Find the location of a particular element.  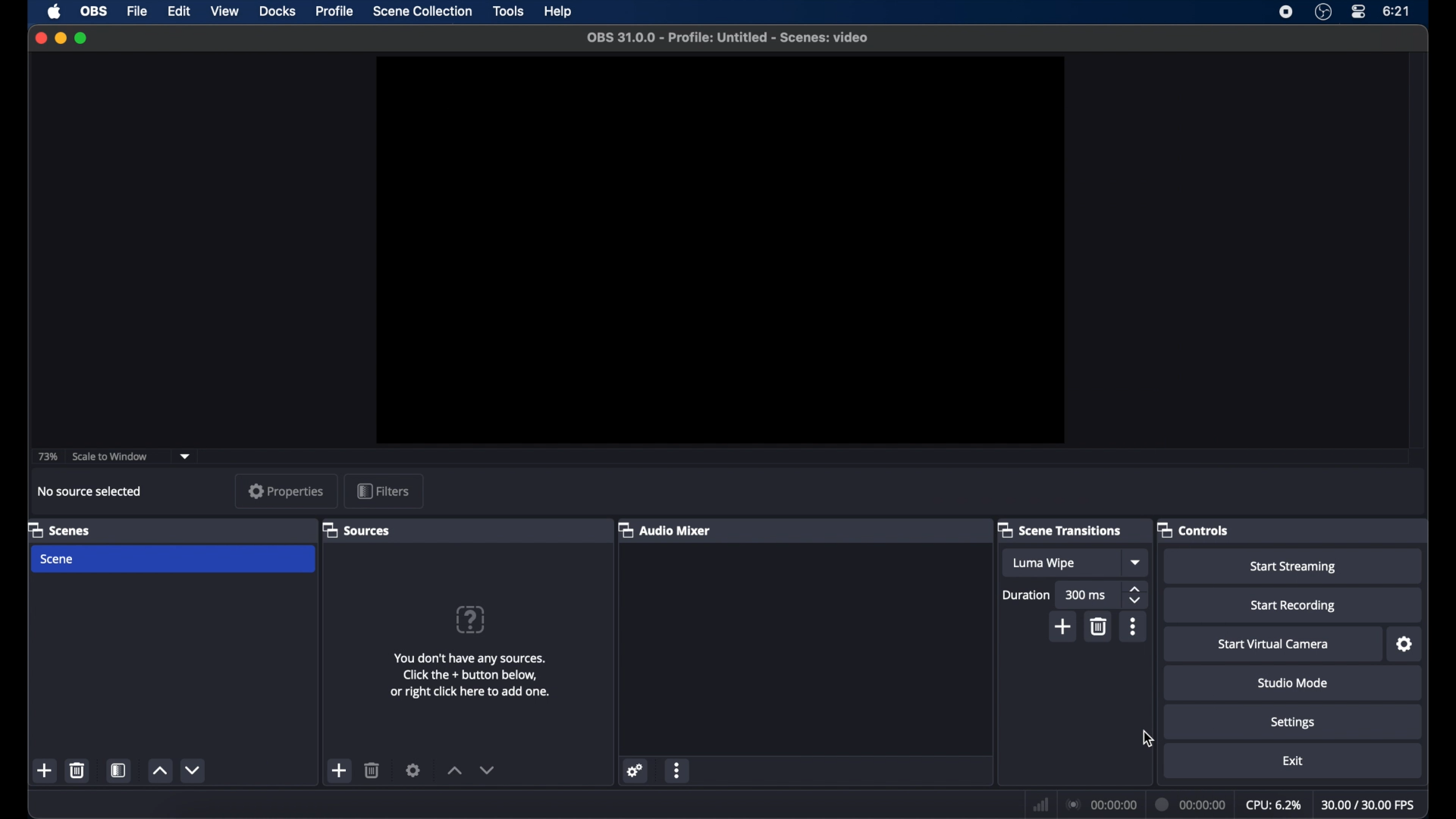

network is located at coordinates (1038, 804).